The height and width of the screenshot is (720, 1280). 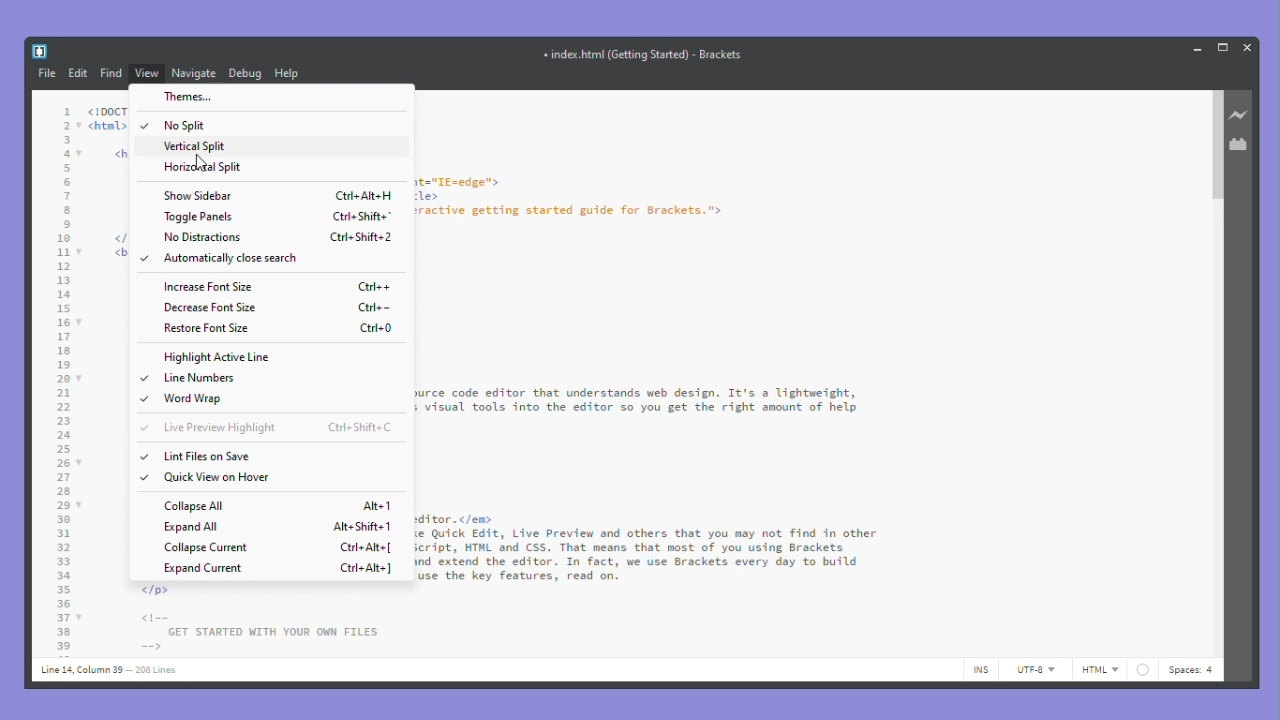 What do you see at coordinates (39, 51) in the screenshot?
I see `Brackets logo` at bounding box center [39, 51].